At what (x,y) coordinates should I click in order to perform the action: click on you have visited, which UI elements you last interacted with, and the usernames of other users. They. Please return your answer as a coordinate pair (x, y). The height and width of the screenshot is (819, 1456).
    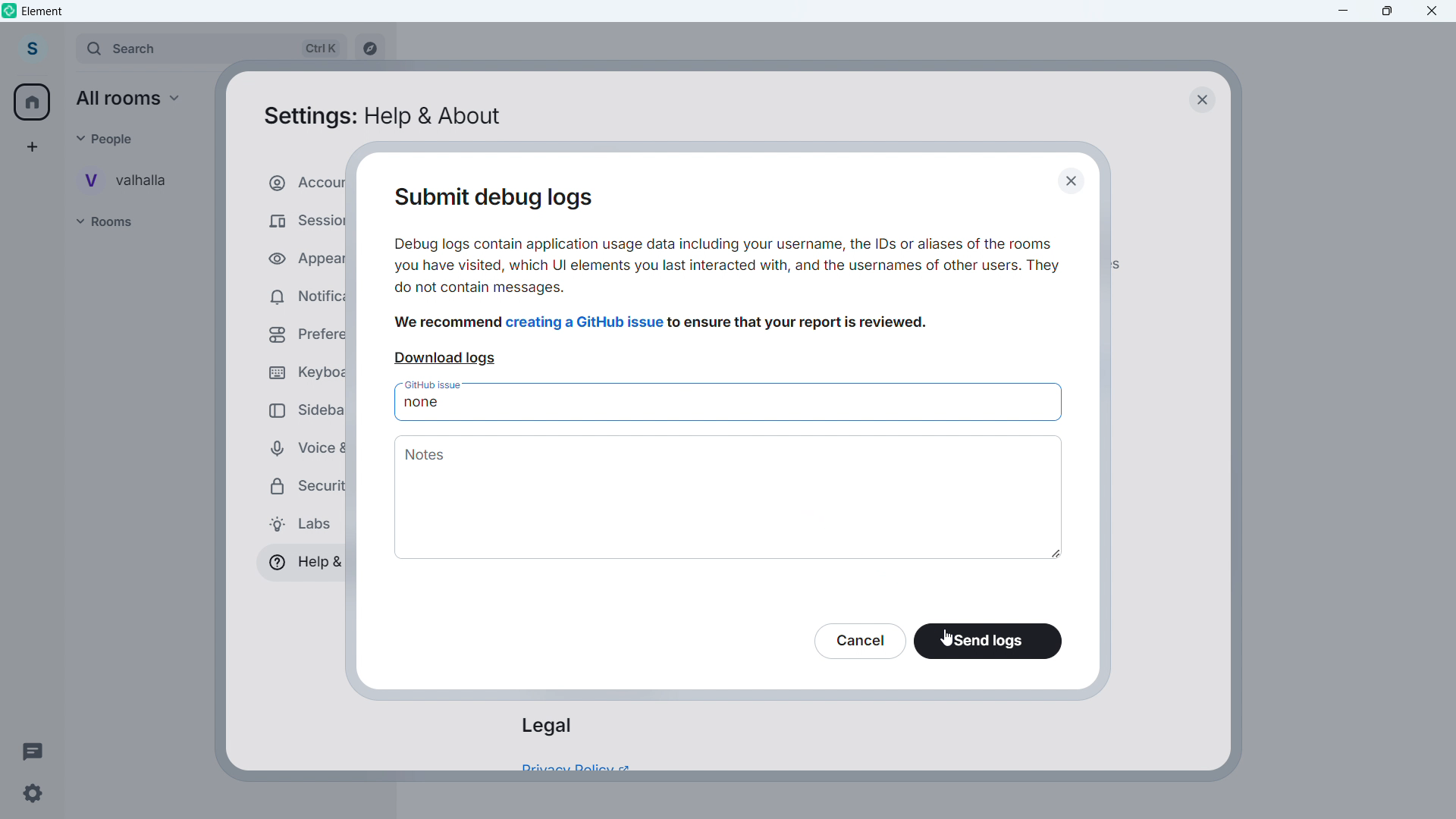
    Looking at the image, I should click on (726, 268).